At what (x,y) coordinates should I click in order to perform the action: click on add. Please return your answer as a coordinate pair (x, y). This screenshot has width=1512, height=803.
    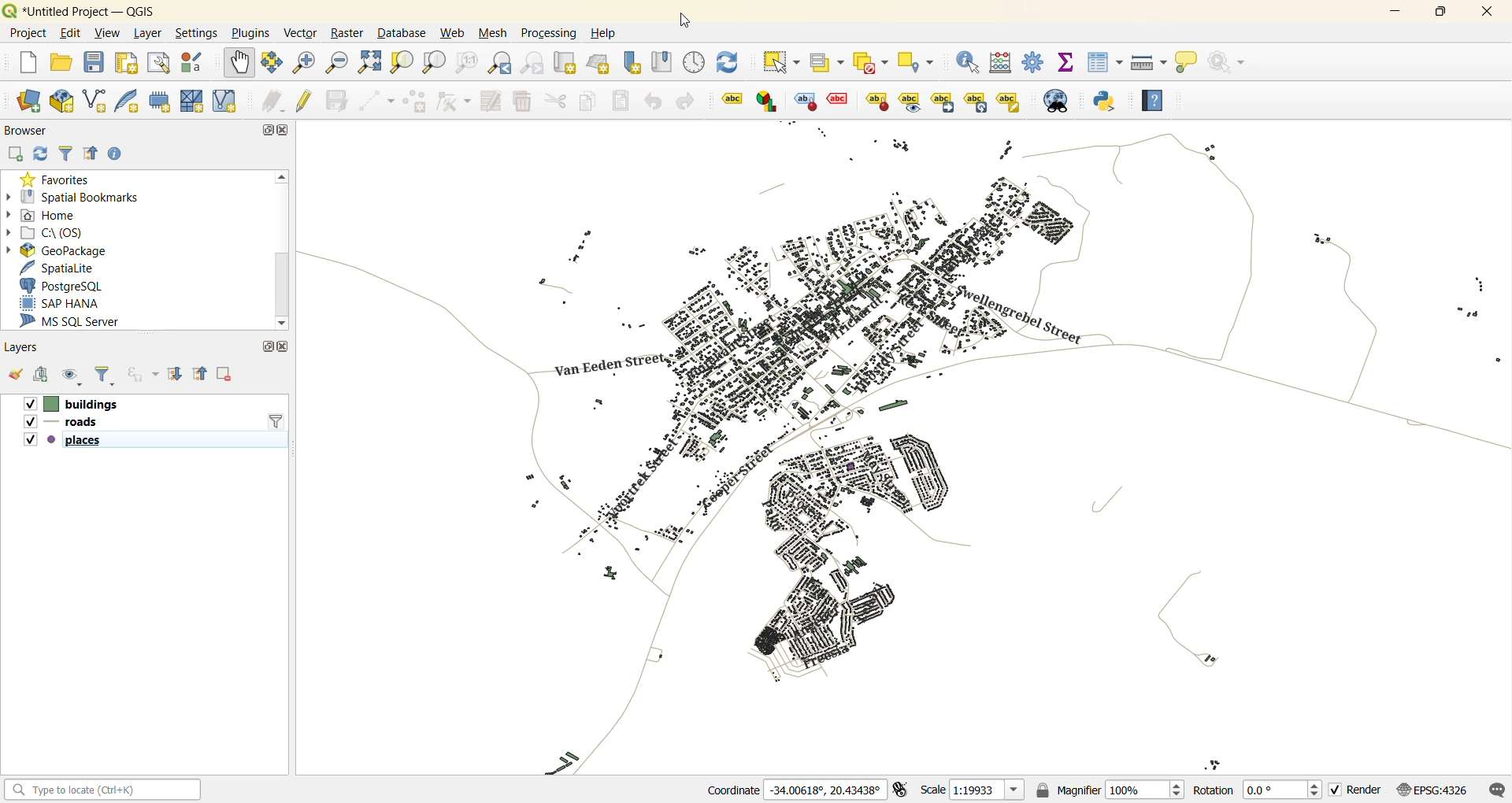
    Looking at the image, I should click on (39, 373).